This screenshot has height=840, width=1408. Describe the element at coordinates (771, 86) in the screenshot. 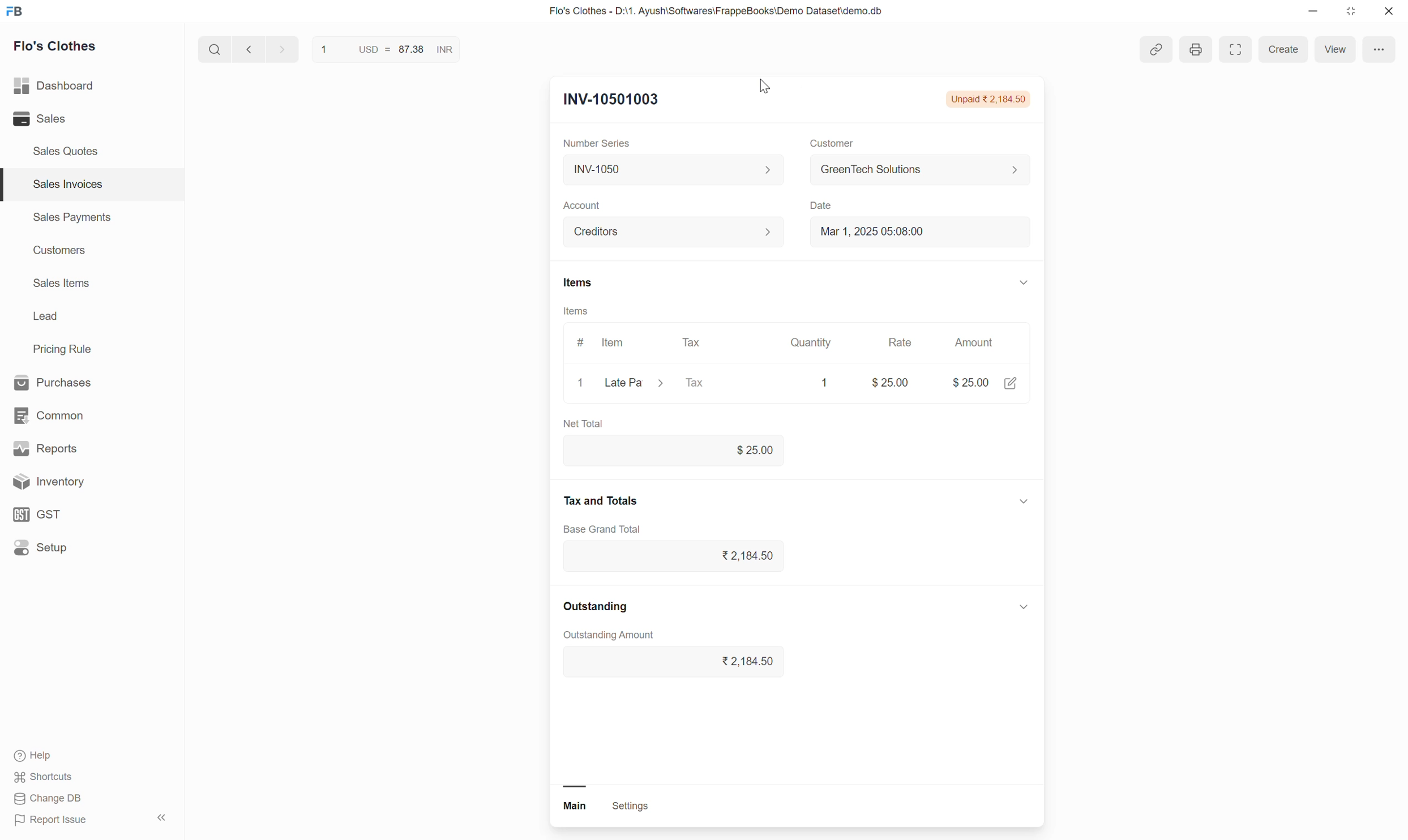

I see `cursor ` at that location.